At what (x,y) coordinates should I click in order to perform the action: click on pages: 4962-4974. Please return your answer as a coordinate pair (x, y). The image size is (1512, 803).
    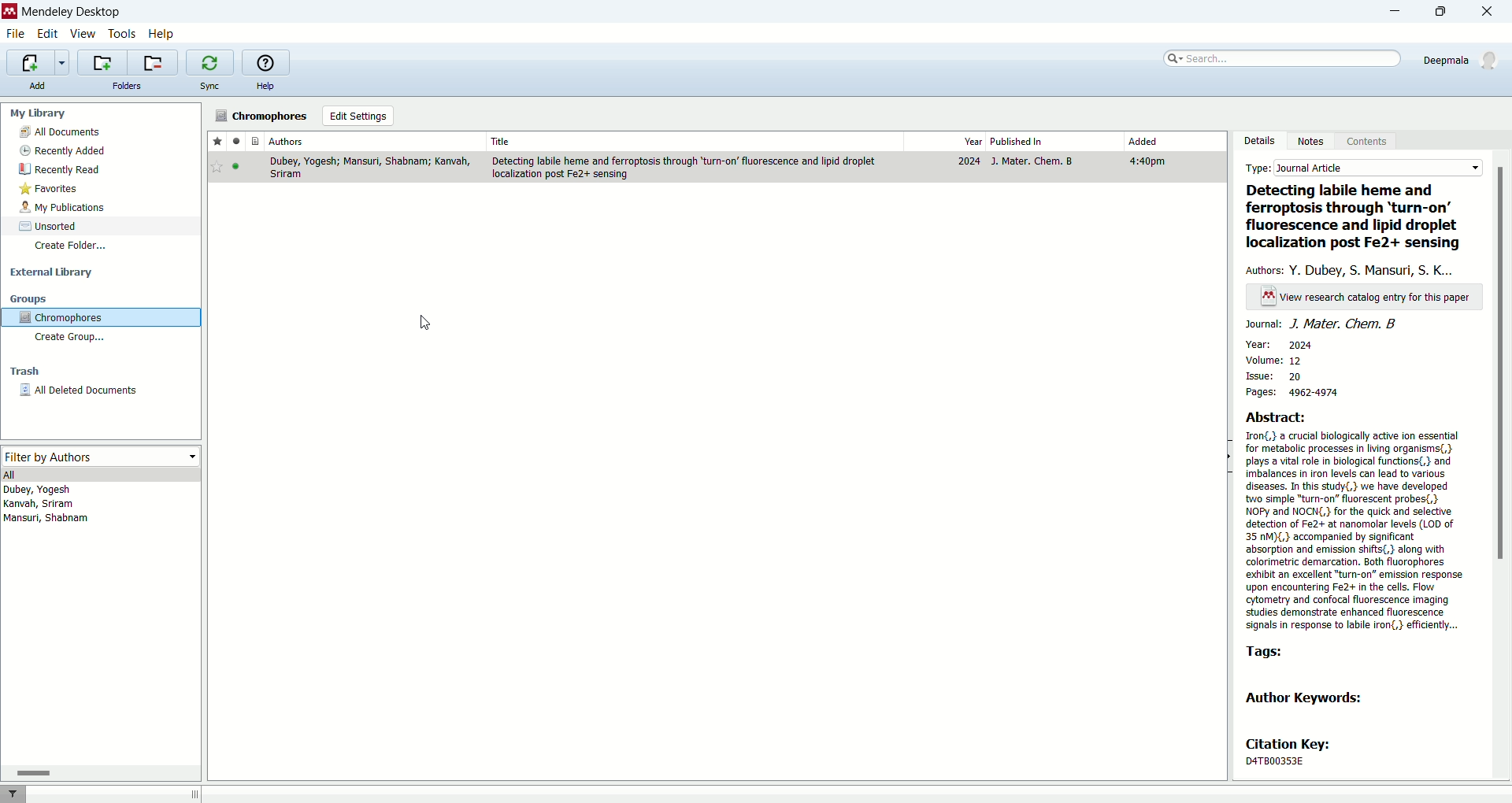
    Looking at the image, I should click on (1305, 392).